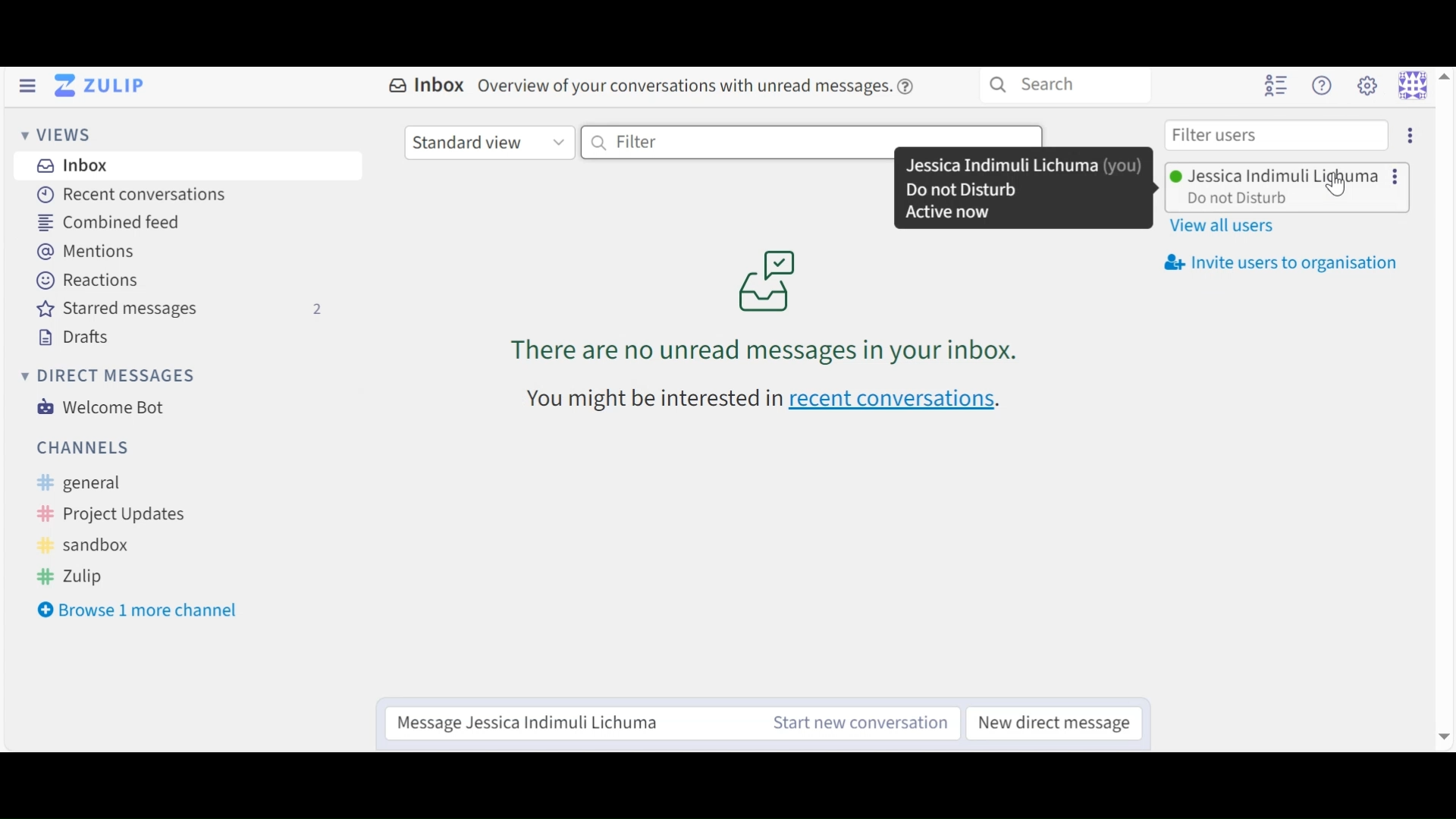 The image size is (1456, 819). What do you see at coordinates (768, 309) in the screenshot?
I see `unread messages` at bounding box center [768, 309].